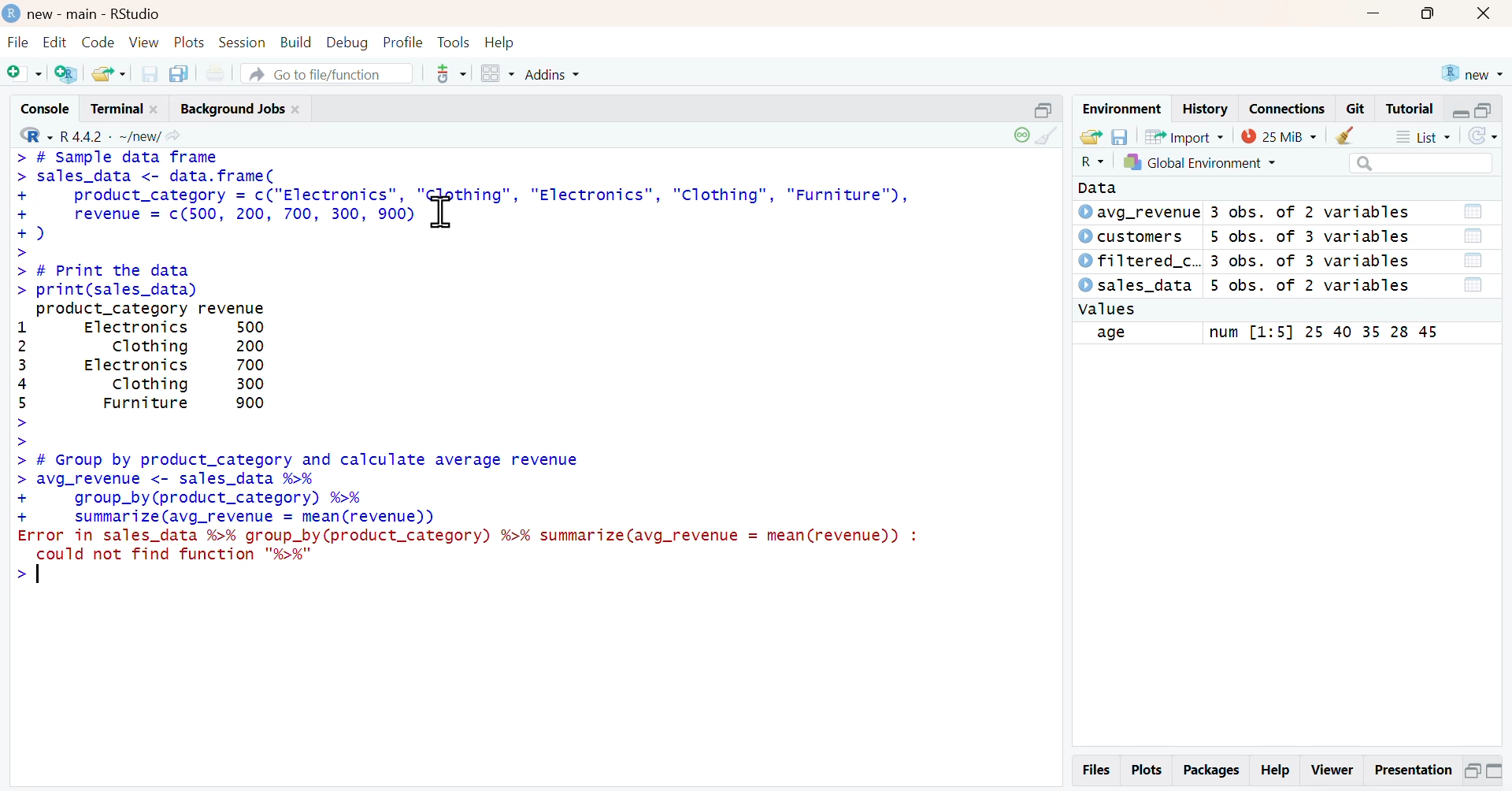 This screenshot has height=791, width=1512. I want to click on Select Language - R, so click(1091, 162).